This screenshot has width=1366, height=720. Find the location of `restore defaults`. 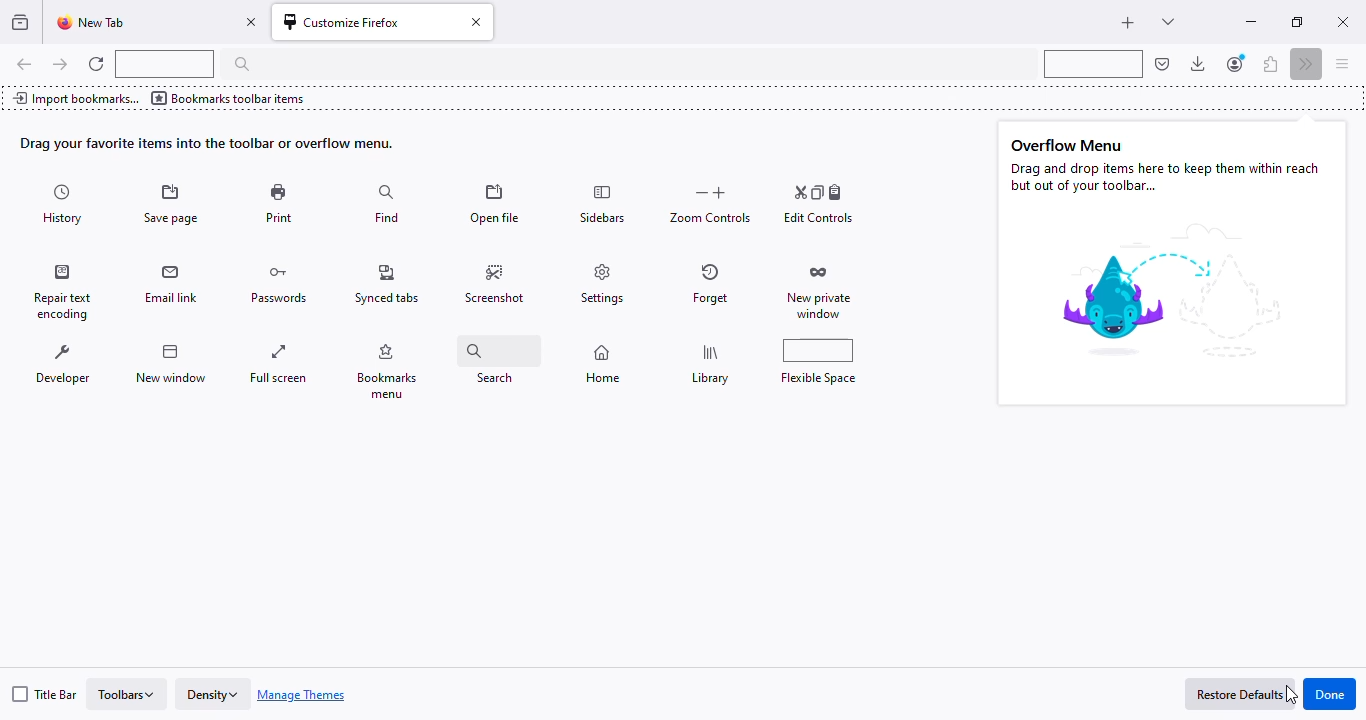

restore defaults is located at coordinates (1241, 694).